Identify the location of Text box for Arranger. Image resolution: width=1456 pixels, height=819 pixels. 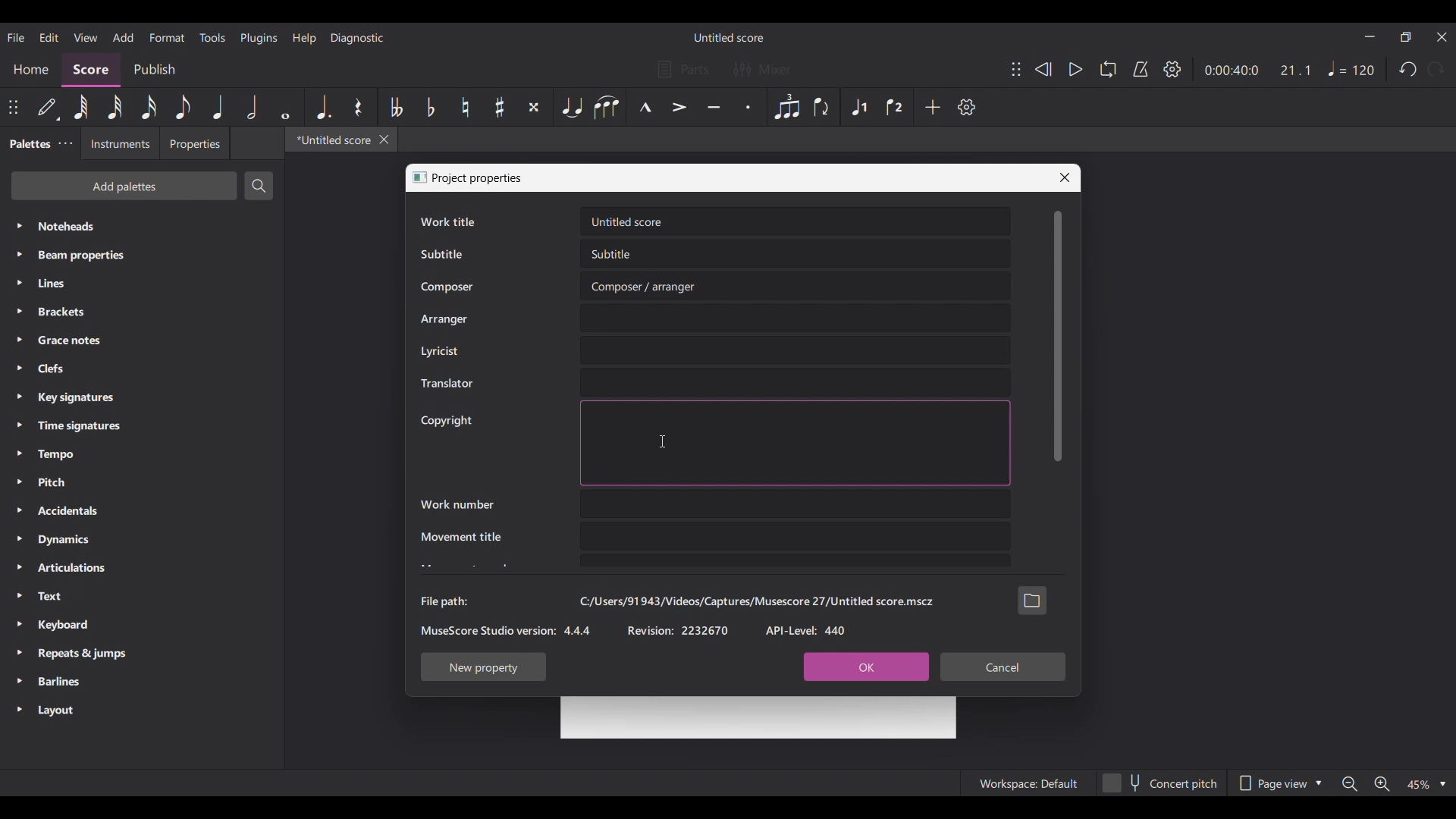
(795, 318).